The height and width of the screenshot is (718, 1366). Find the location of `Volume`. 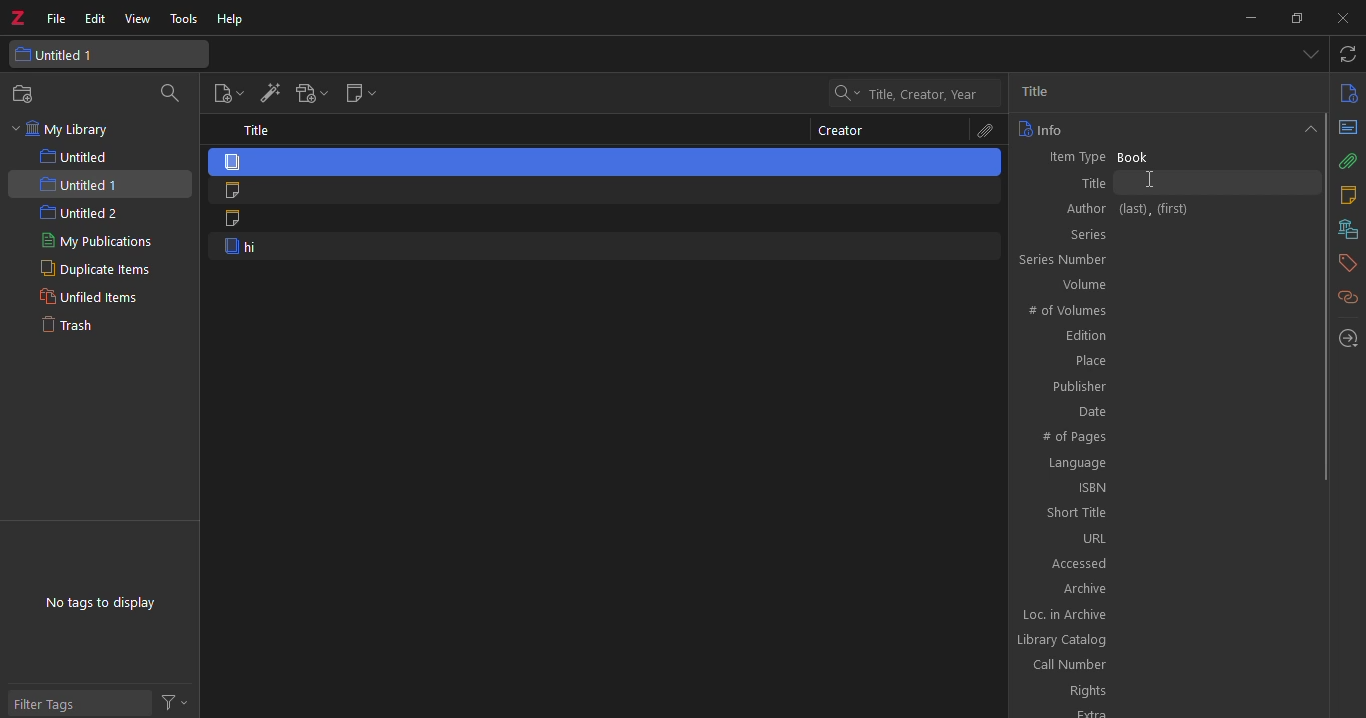

Volume is located at coordinates (1165, 284).